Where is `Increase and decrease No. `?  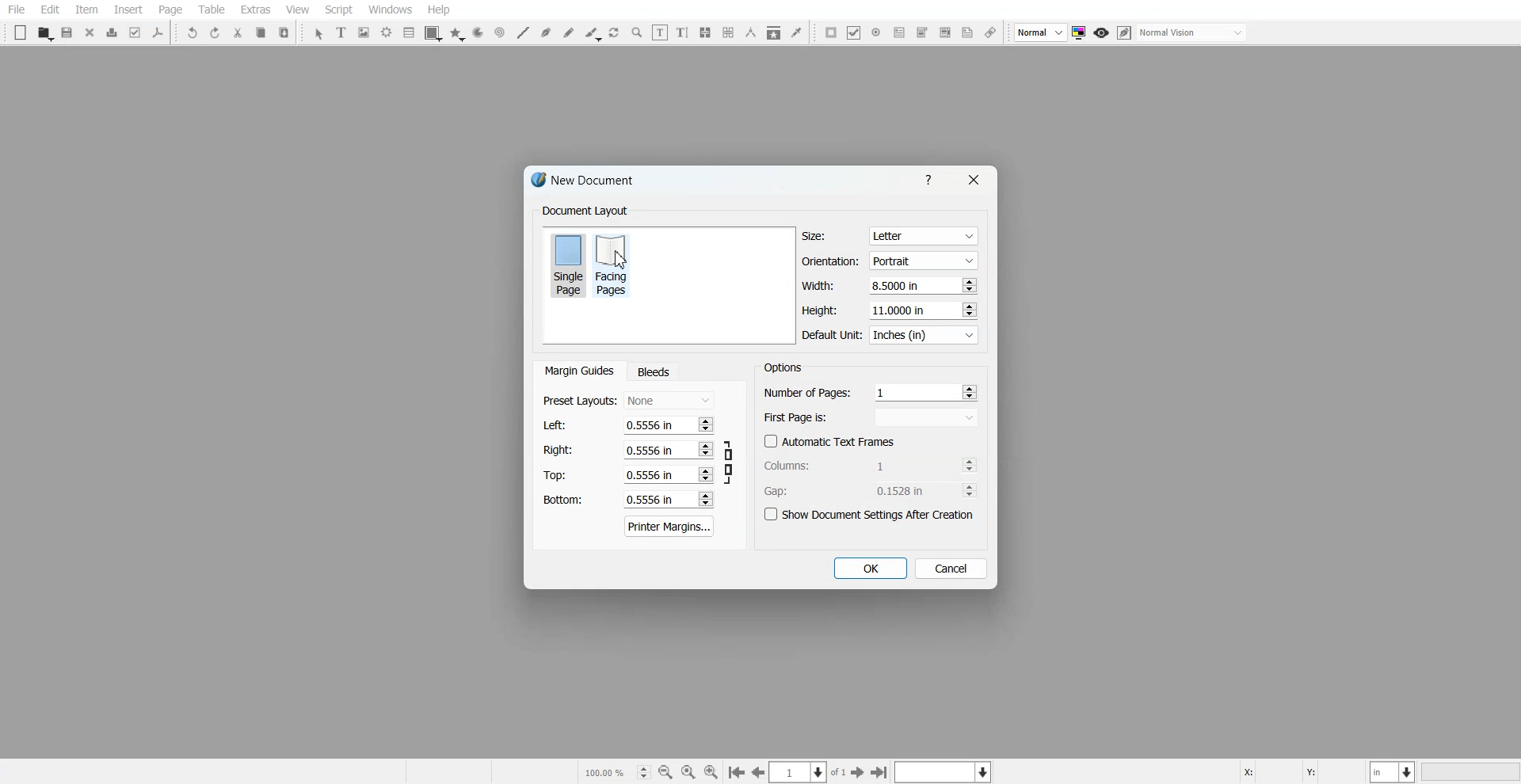 Increase and decrease No.  is located at coordinates (704, 424).